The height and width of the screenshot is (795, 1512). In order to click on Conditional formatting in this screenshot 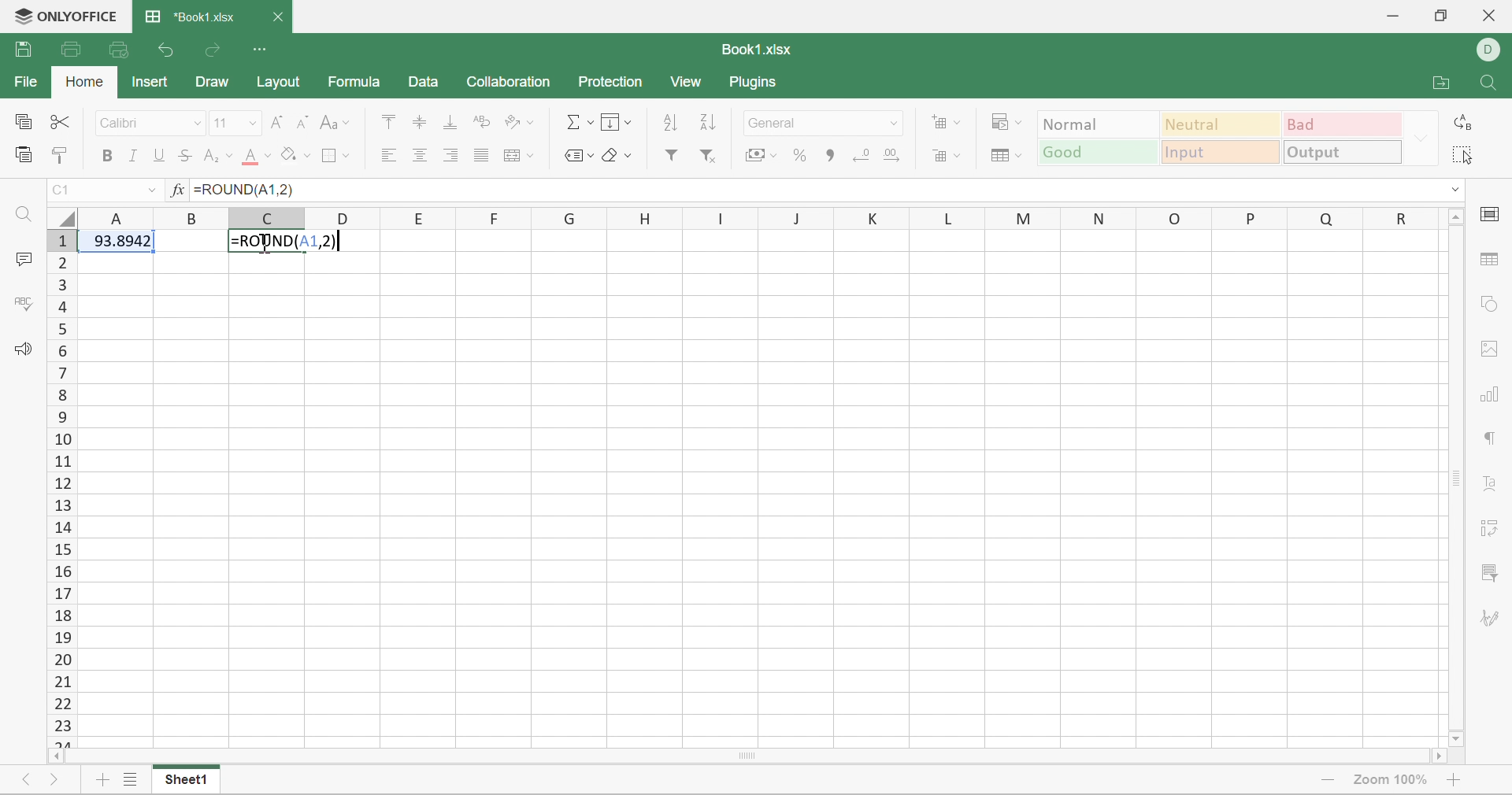, I will do `click(1007, 121)`.